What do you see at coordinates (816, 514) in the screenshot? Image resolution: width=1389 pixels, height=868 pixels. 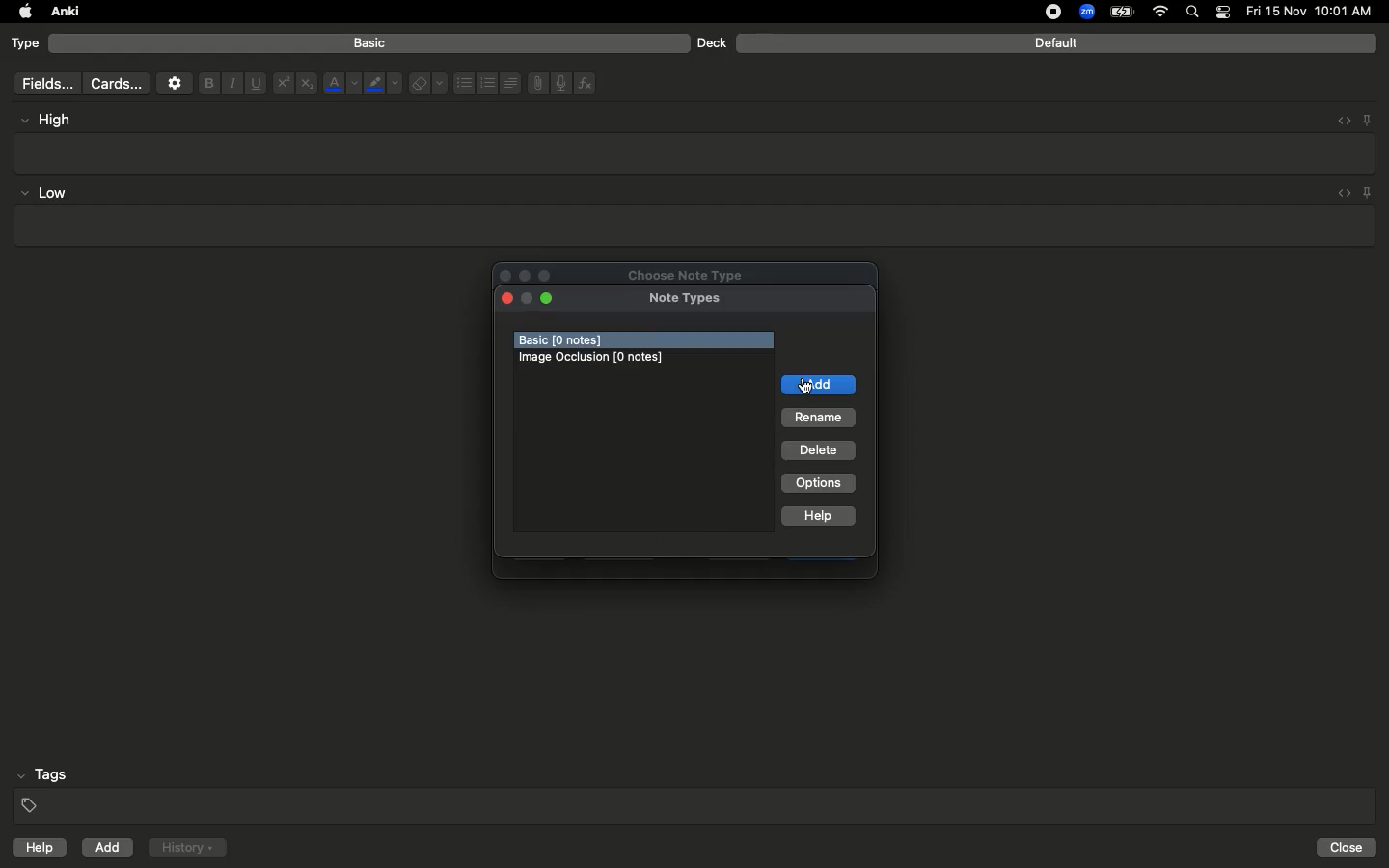 I see `Help` at bounding box center [816, 514].